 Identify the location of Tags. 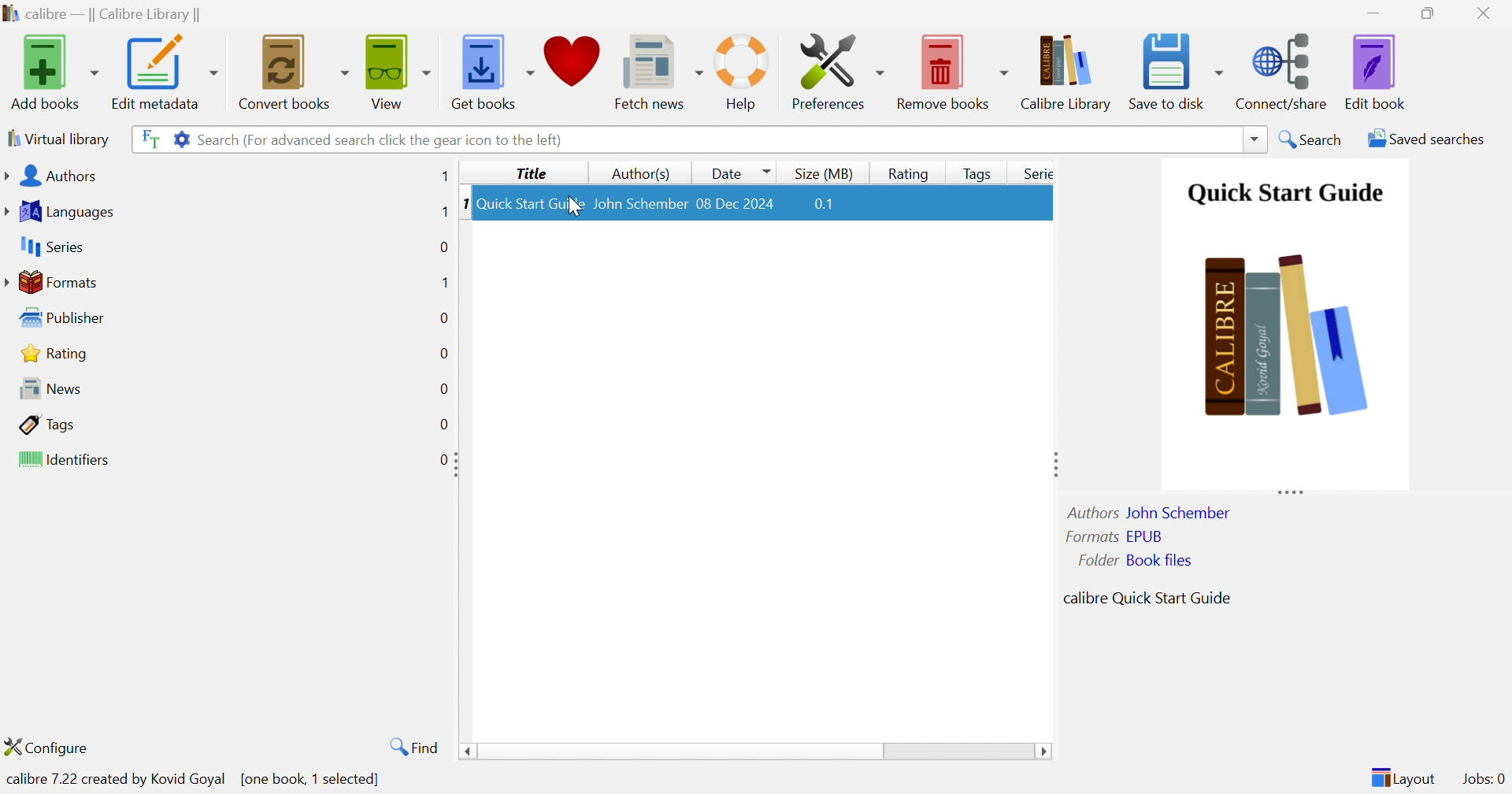
(973, 171).